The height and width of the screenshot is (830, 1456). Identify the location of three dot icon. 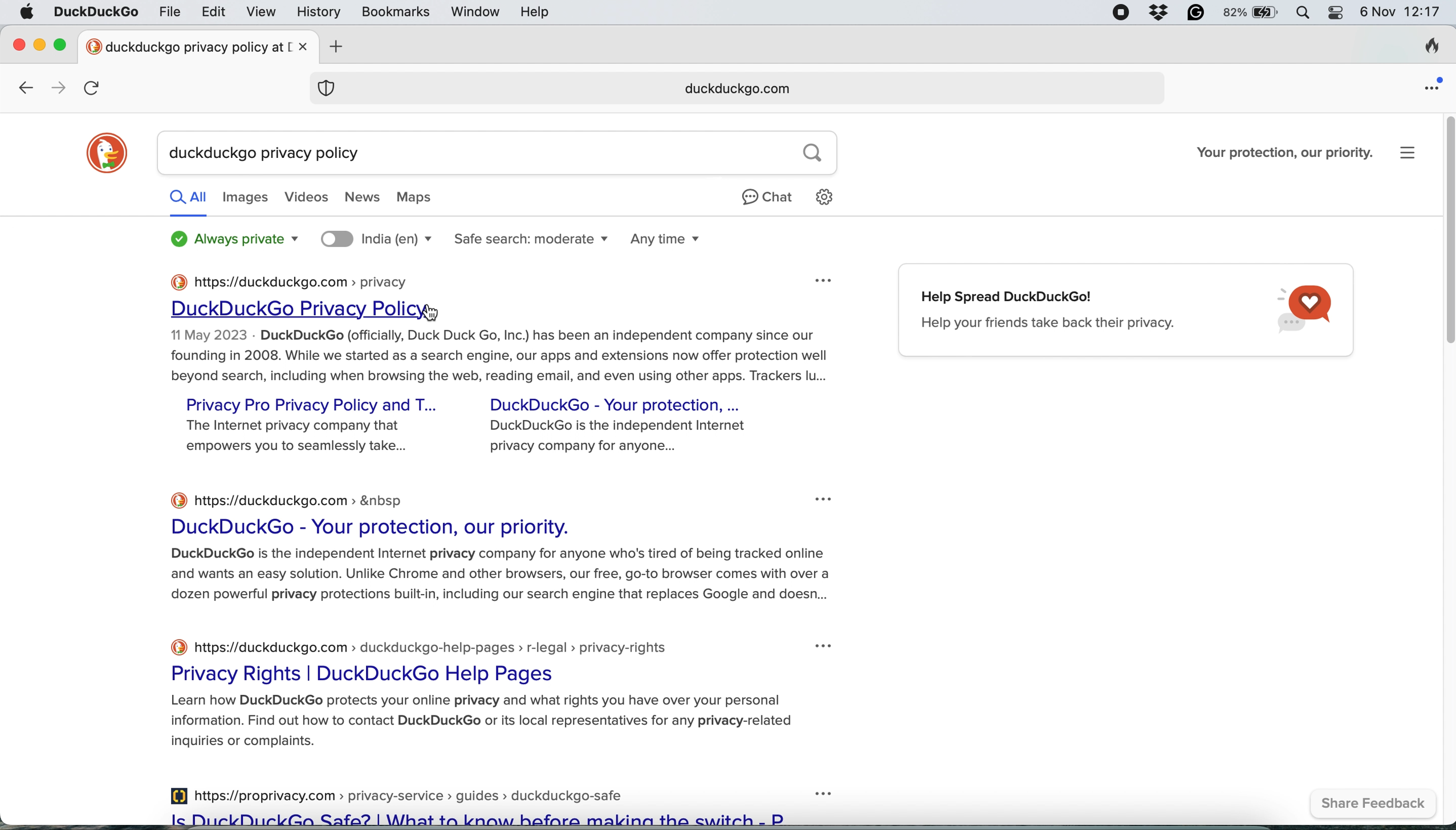
(828, 498).